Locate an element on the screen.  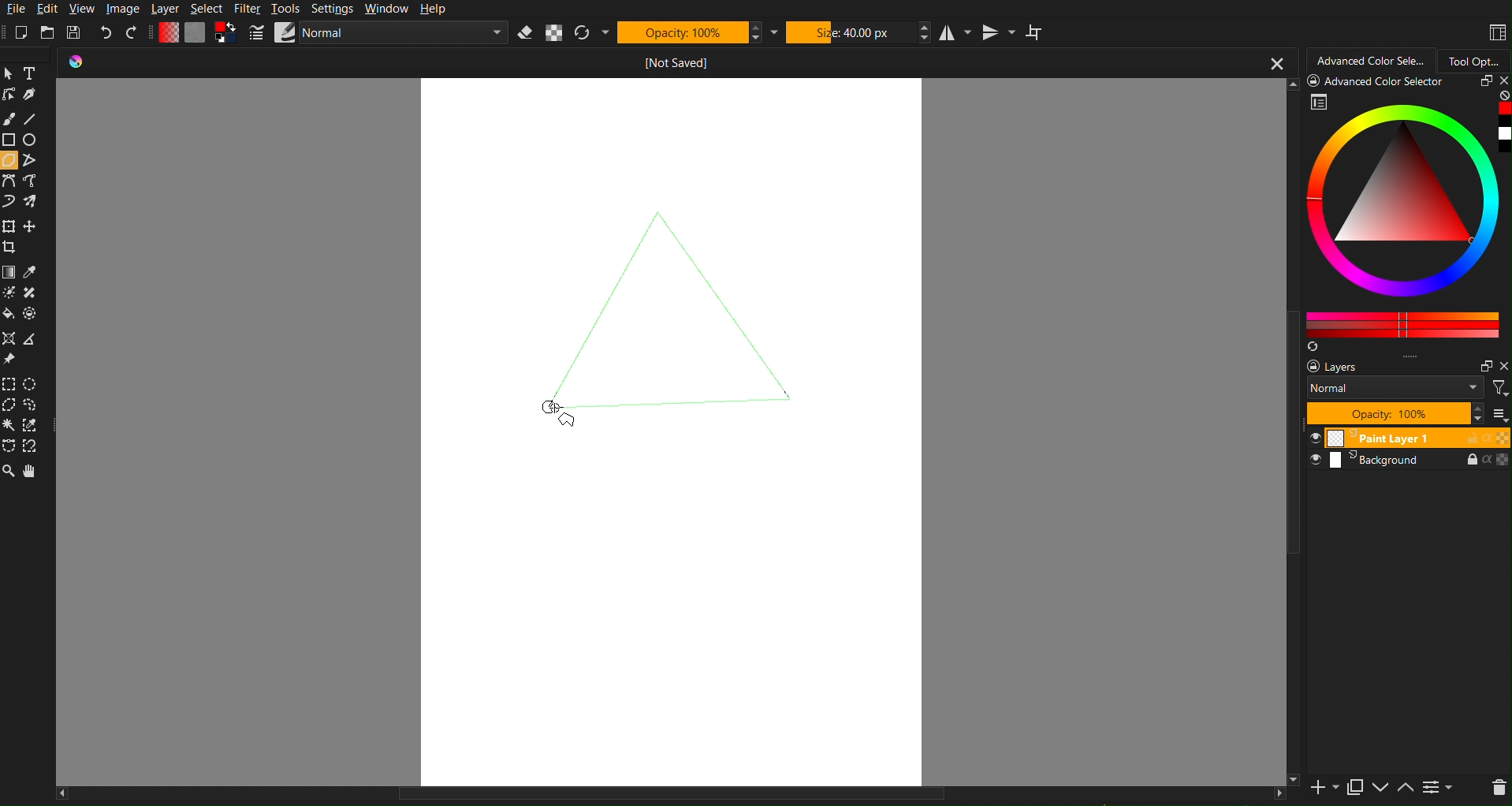
move layer down is located at coordinates (1380, 789).